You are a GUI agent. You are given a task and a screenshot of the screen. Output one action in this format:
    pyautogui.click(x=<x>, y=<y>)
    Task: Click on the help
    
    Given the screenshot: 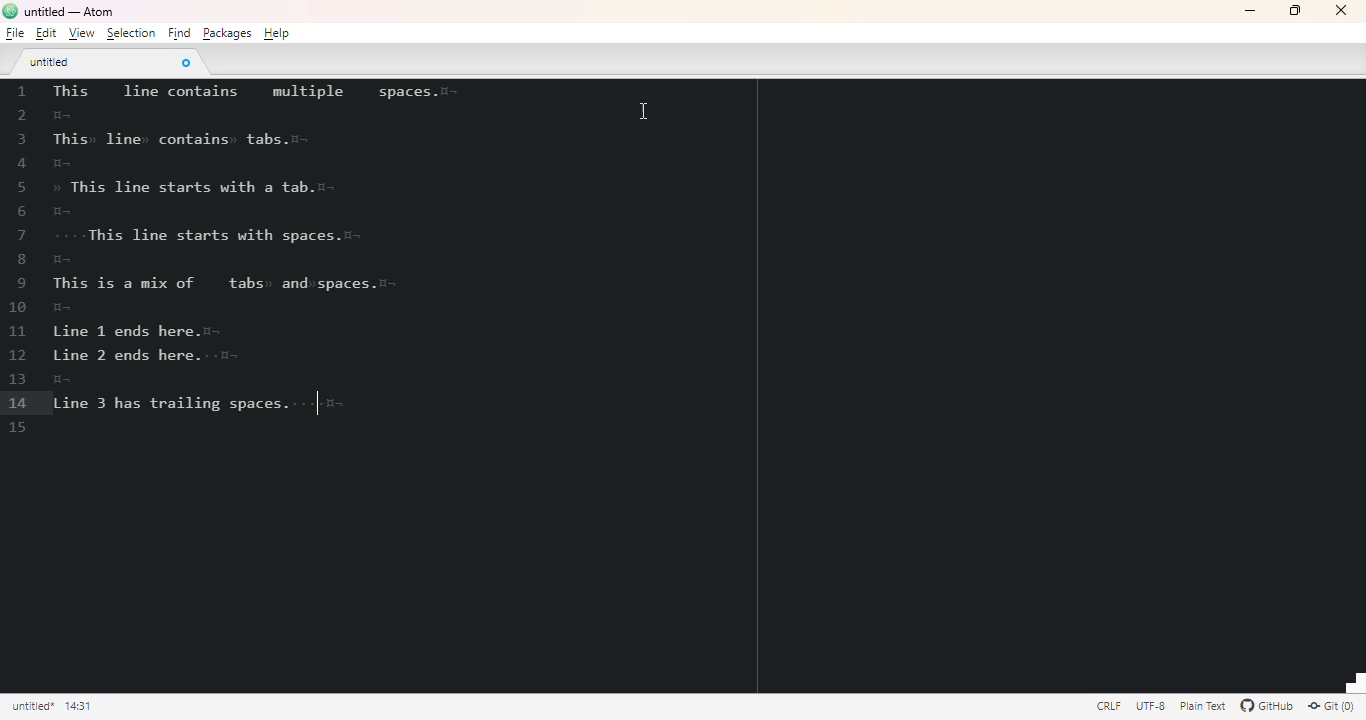 What is the action you would take?
    pyautogui.click(x=277, y=33)
    